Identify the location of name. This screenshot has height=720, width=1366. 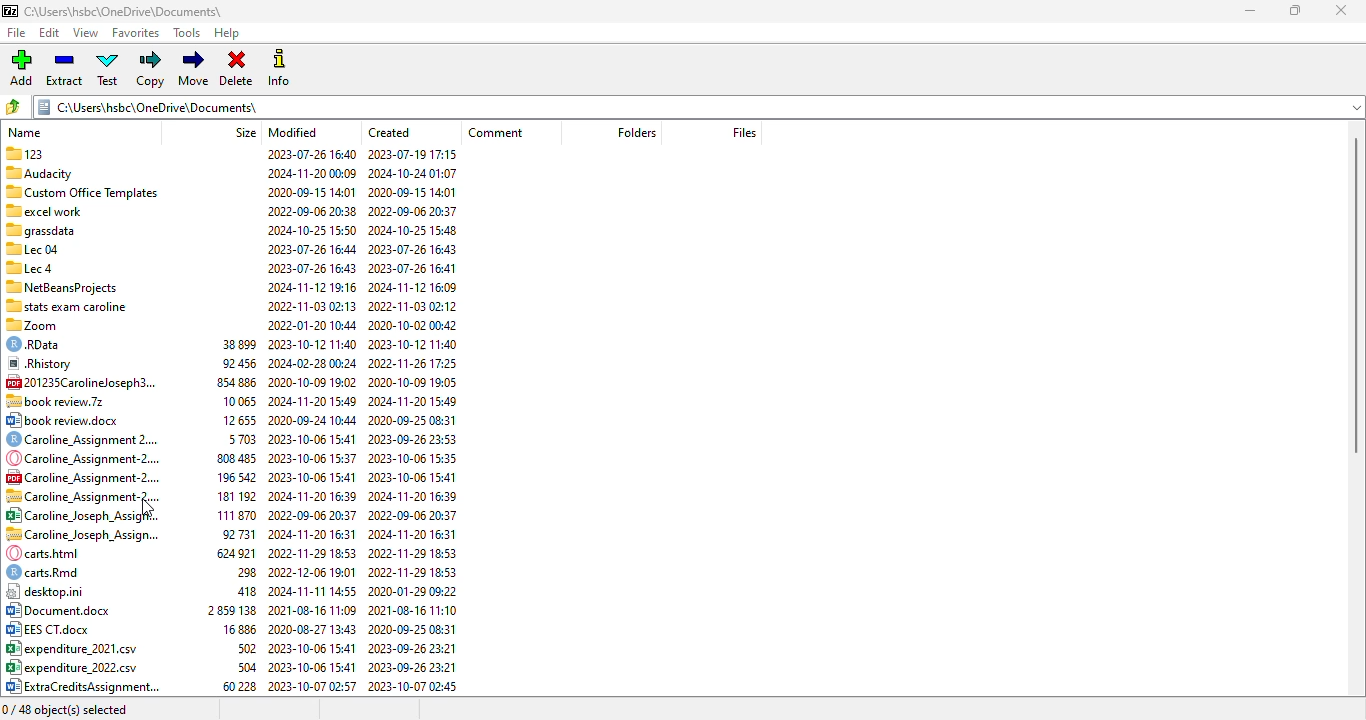
(30, 132).